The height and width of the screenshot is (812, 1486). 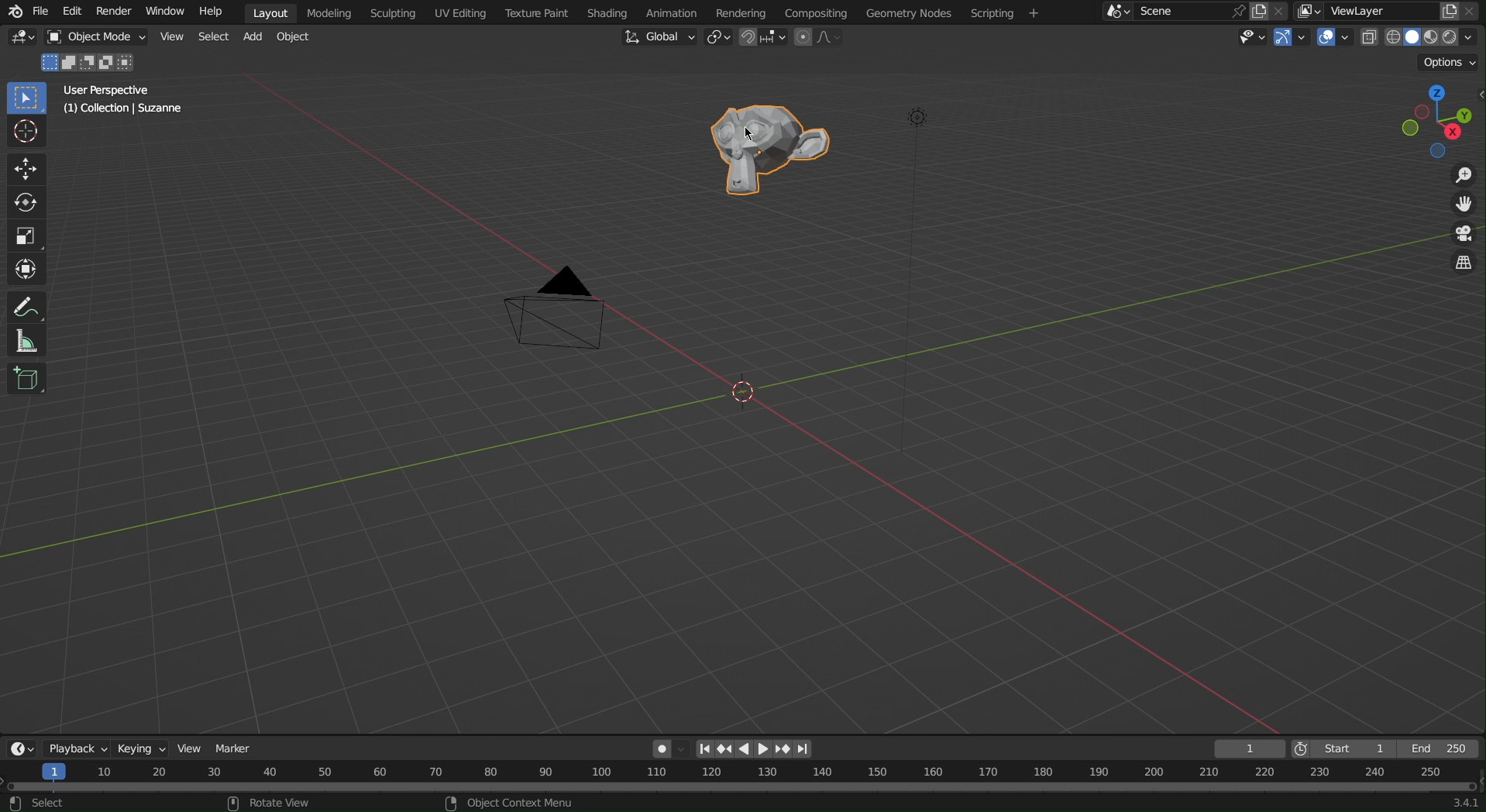 What do you see at coordinates (1440, 121) in the screenshot?
I see `Viewport` at bounding box center [1440, 121].